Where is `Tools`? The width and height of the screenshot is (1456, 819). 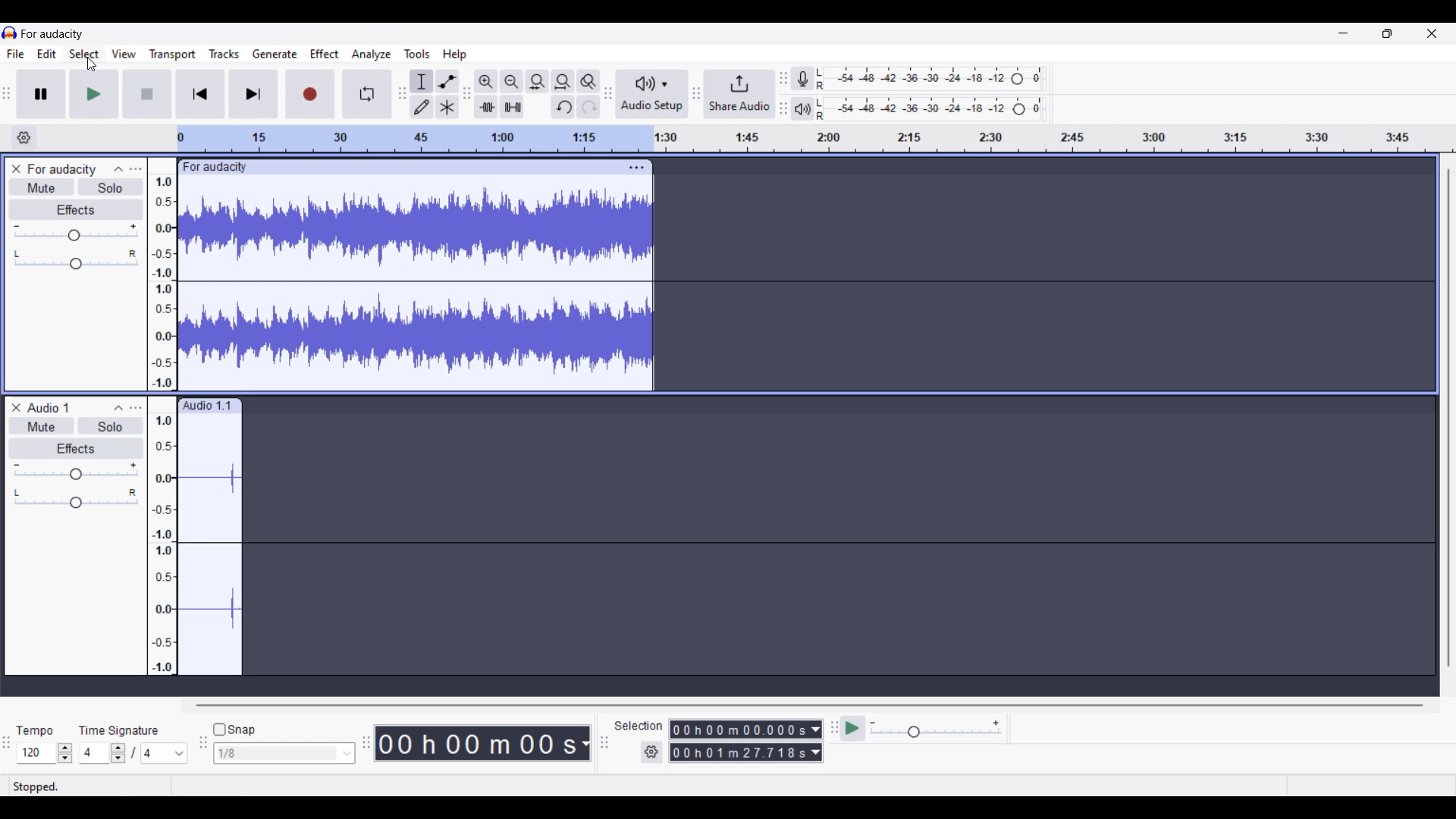 Tools is located at coordinates (417, 54).